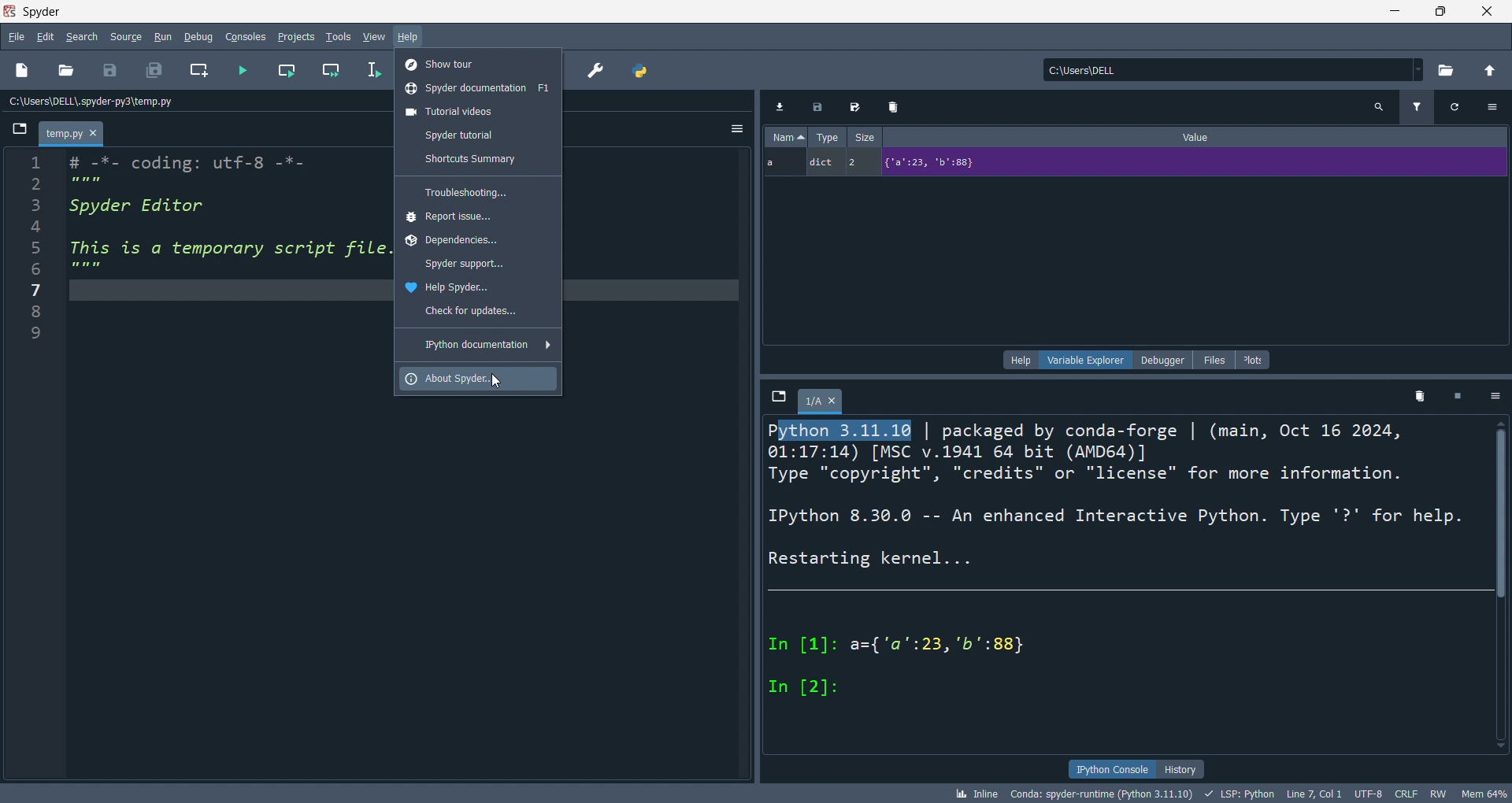 The height and width of the screenshot is (803, 1512). I want to click on source, so click(126, 37).